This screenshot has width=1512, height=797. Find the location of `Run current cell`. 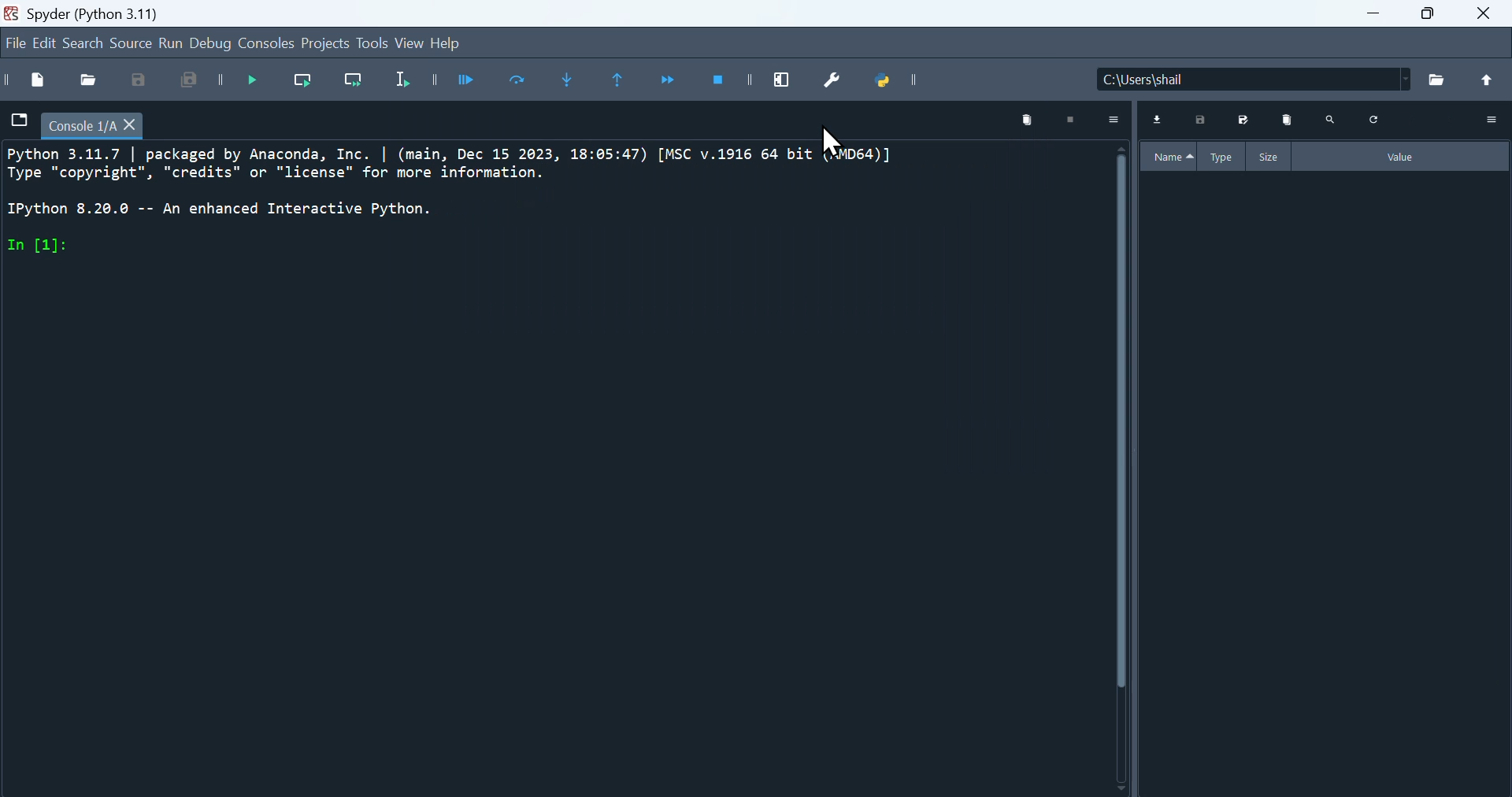

Run current cell is located at coordinates (522, 83).